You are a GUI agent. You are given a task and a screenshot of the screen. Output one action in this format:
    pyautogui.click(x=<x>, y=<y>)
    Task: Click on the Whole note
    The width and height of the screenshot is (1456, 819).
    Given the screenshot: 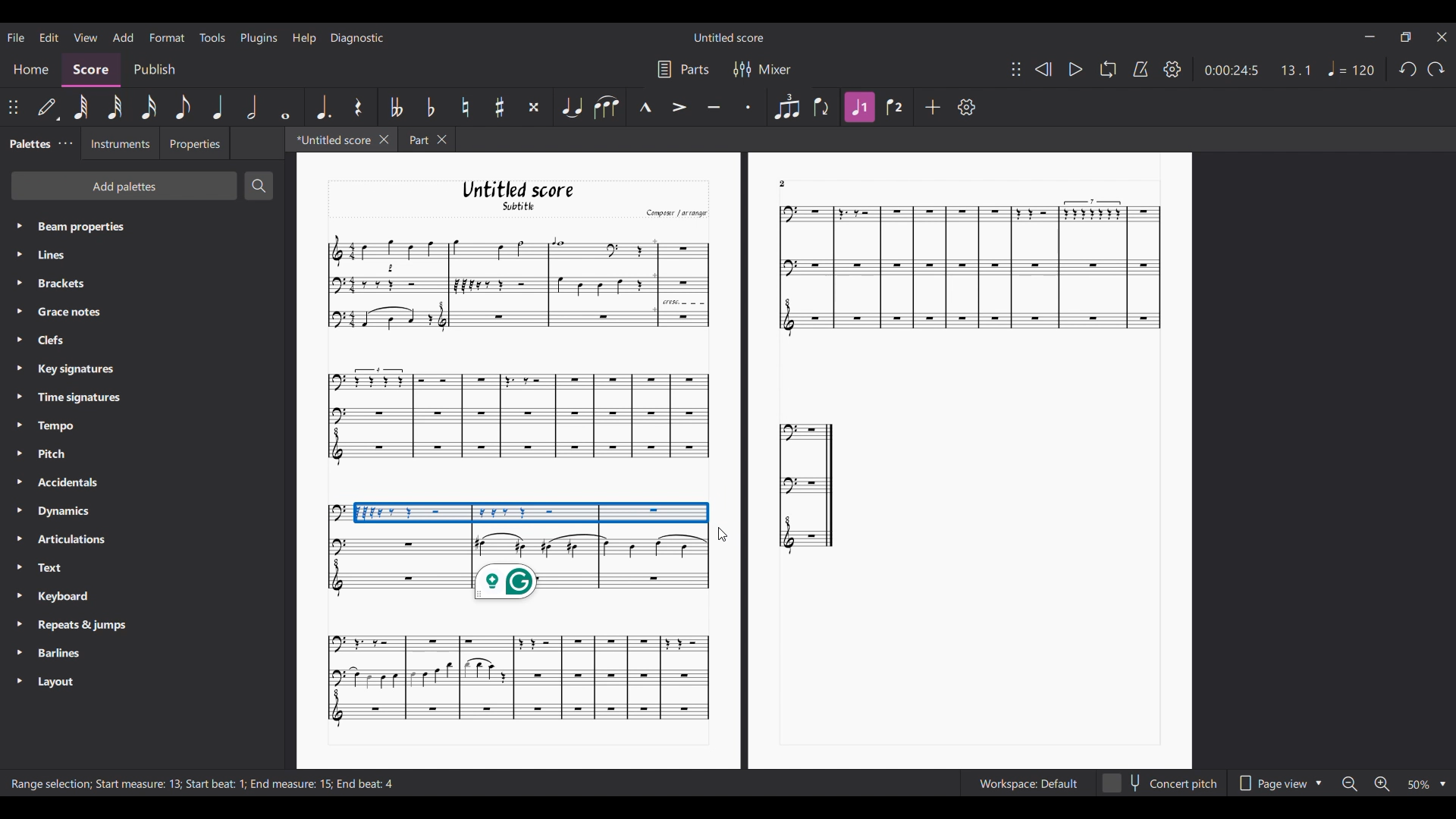 What is the action you would take?
    pyautogui.click(x=286, y=108)
    